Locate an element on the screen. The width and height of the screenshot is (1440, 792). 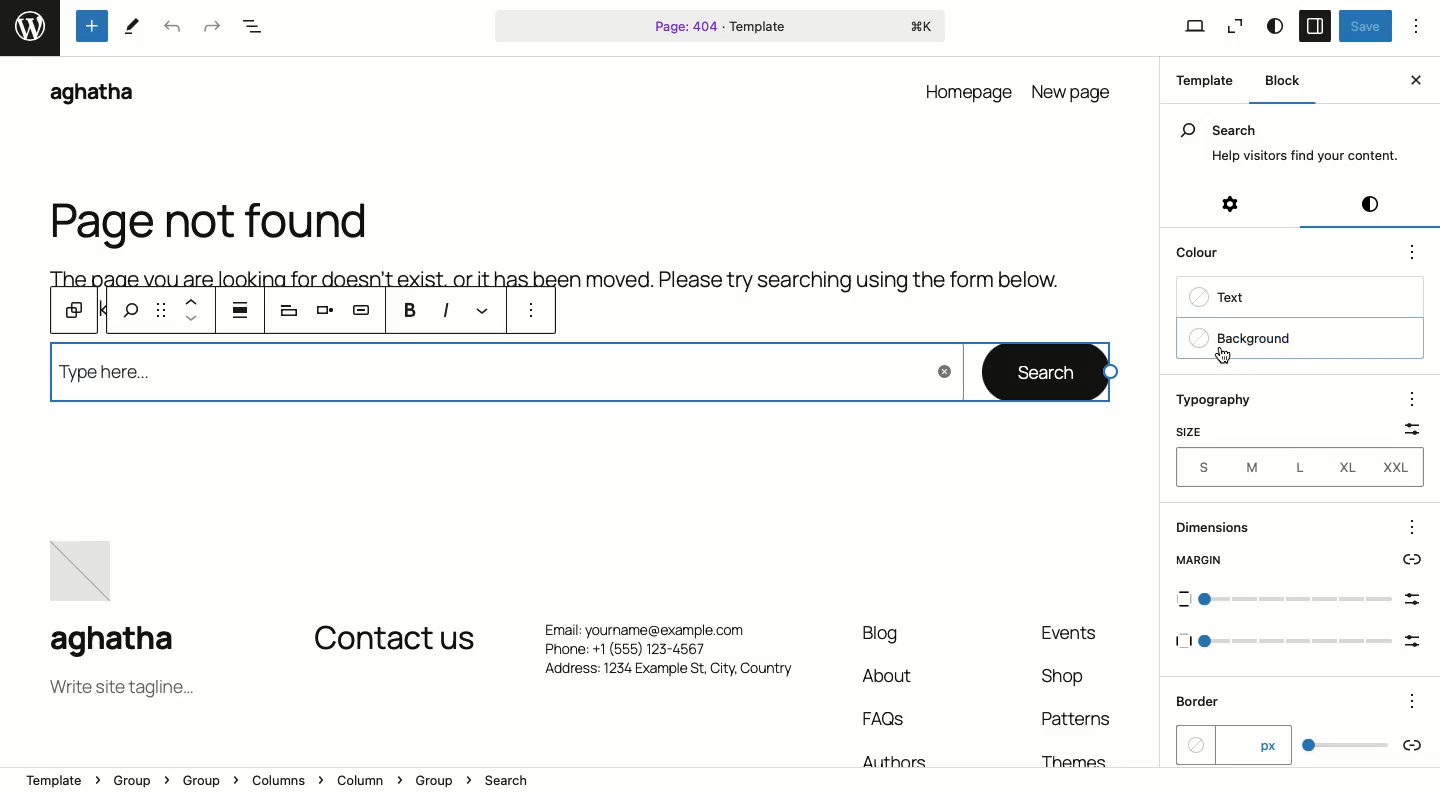
Body is located at coordinates (550, 279).